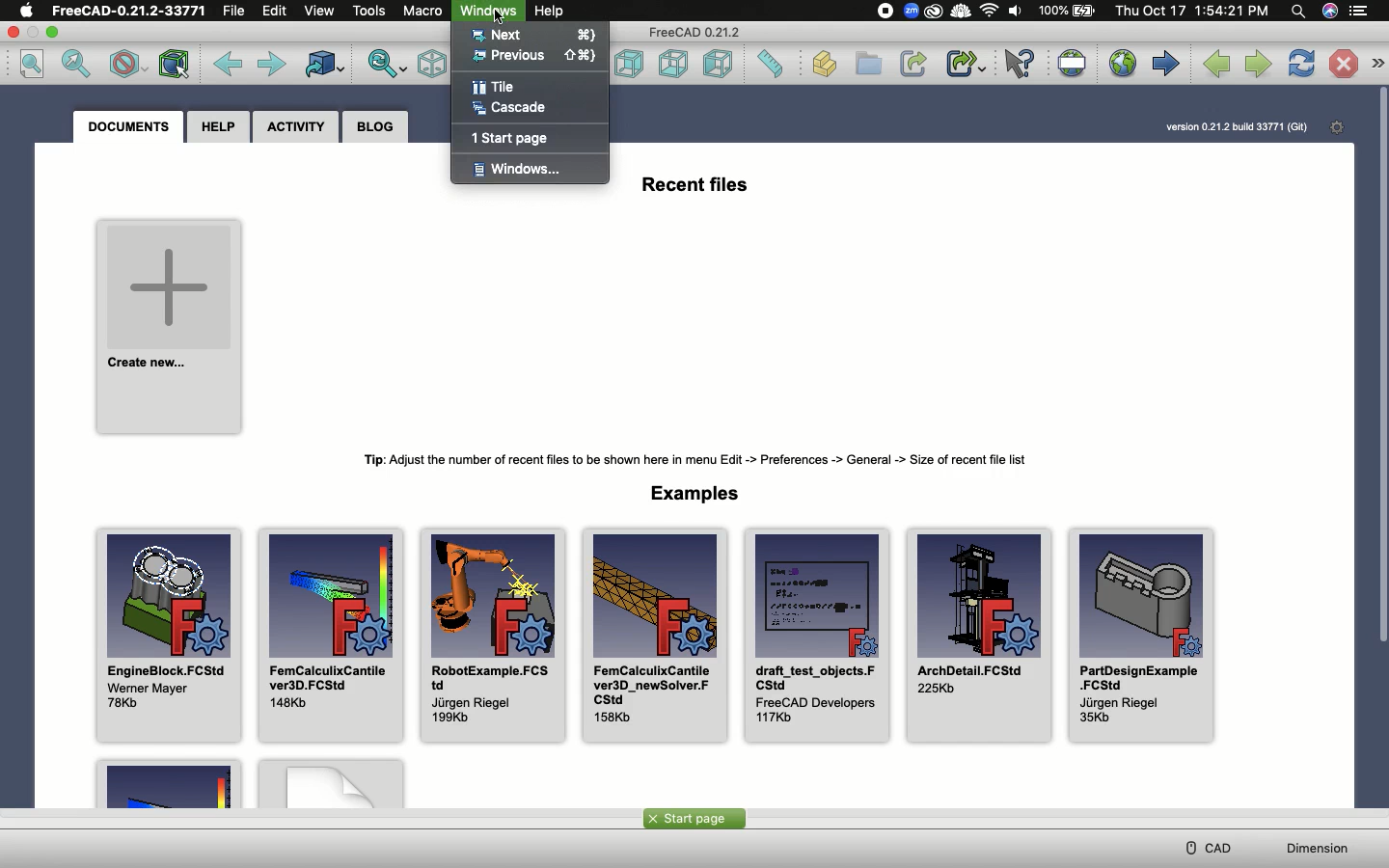 The width and height of the screenshot is (1389, 868). Describe the element at coordinates (375, 129) in the screenshot. I see `Blog` at that location.